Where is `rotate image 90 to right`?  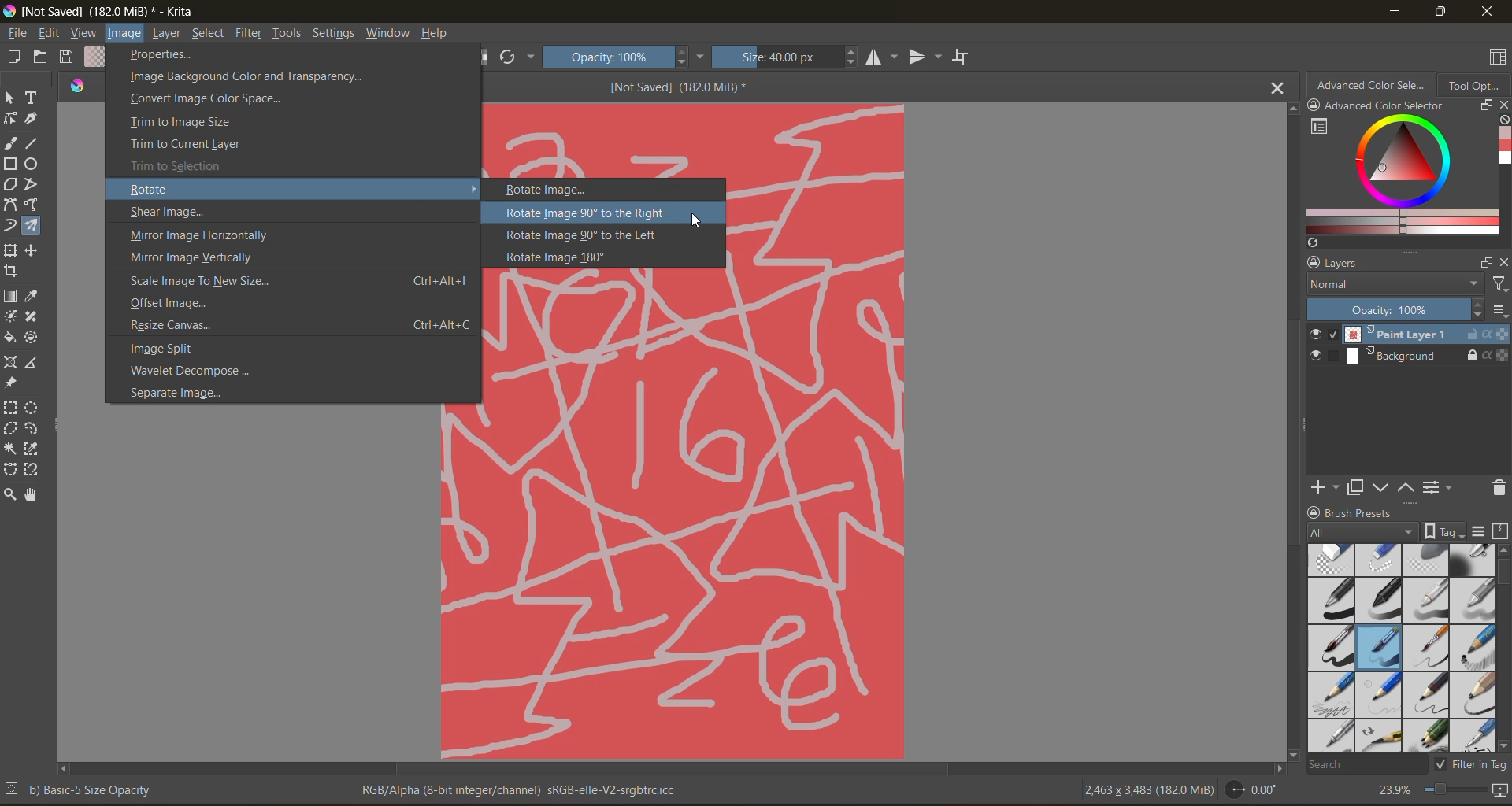 rotate image 90 to right is located at coordinates (584, 214).